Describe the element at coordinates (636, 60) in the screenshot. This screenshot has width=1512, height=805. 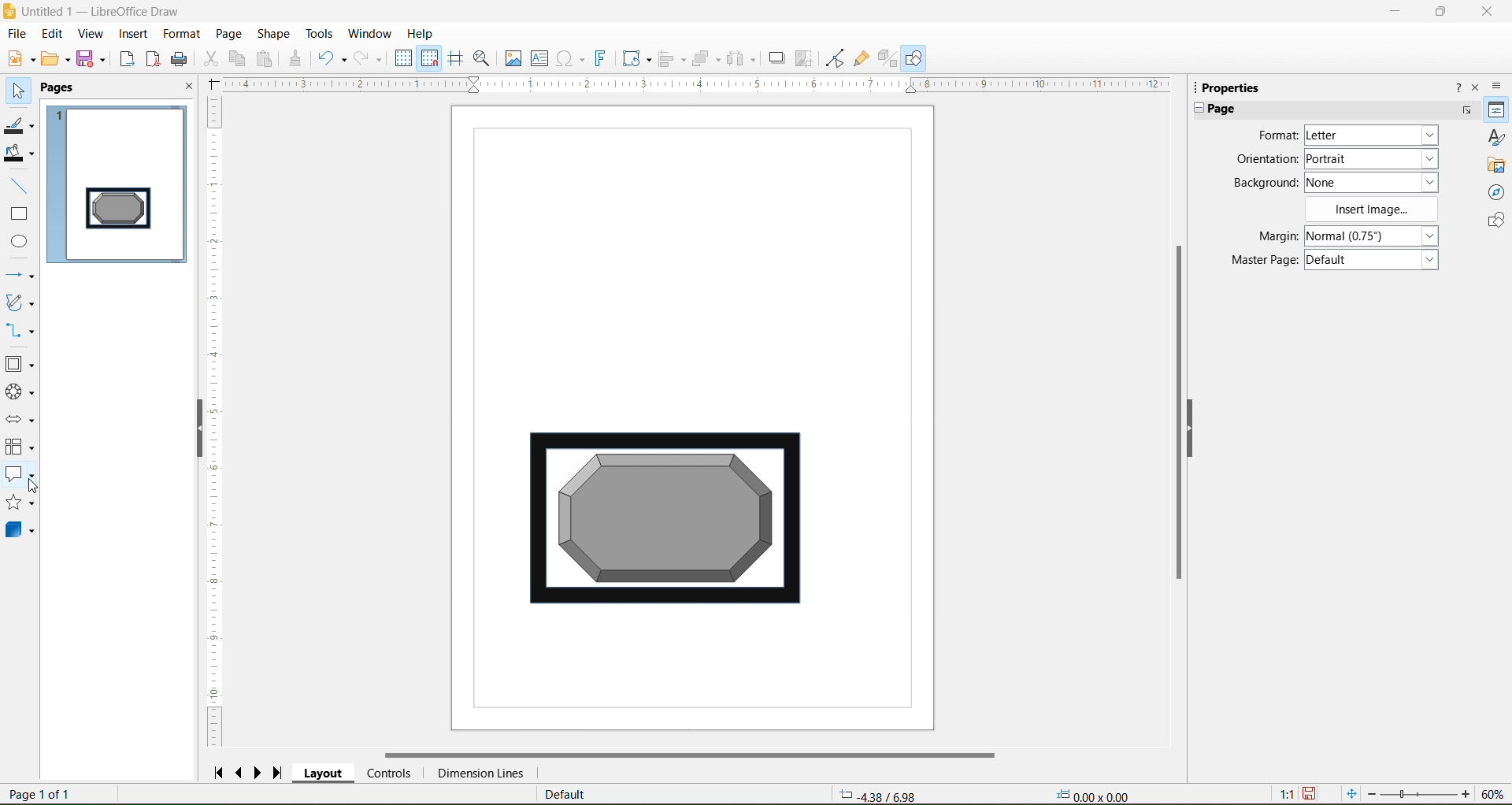
I see `Transformations` at that location.